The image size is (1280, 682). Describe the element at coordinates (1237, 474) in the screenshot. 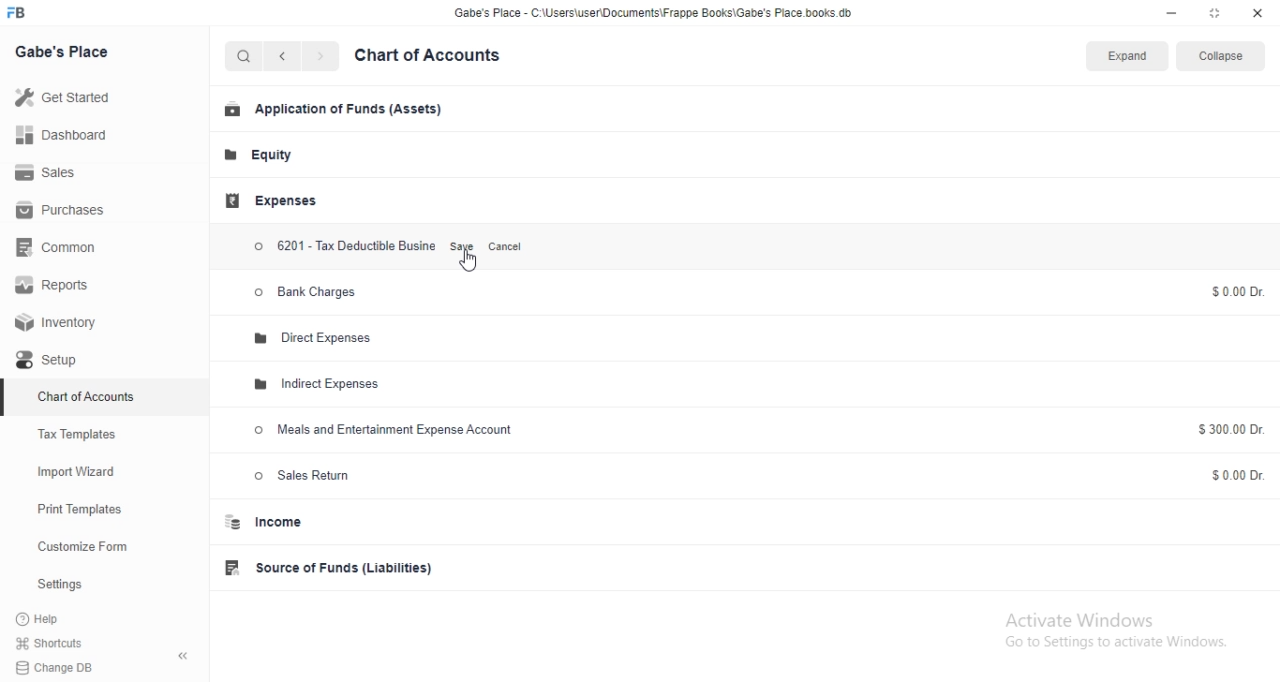

I see `$0.00 Dr.` at that location.